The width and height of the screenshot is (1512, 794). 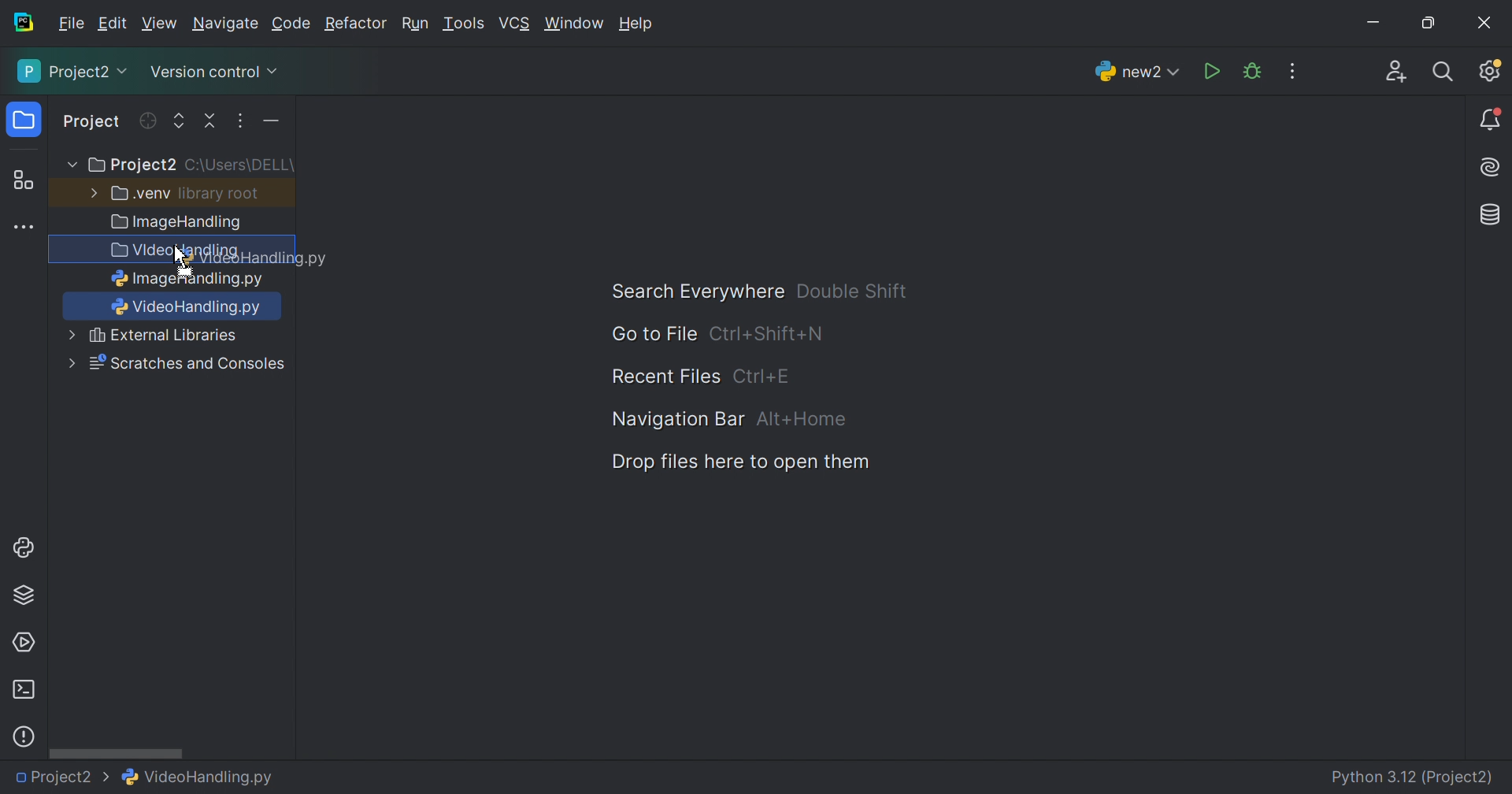 I want to click on VideiHandling.py, so click(x=189, y=306).